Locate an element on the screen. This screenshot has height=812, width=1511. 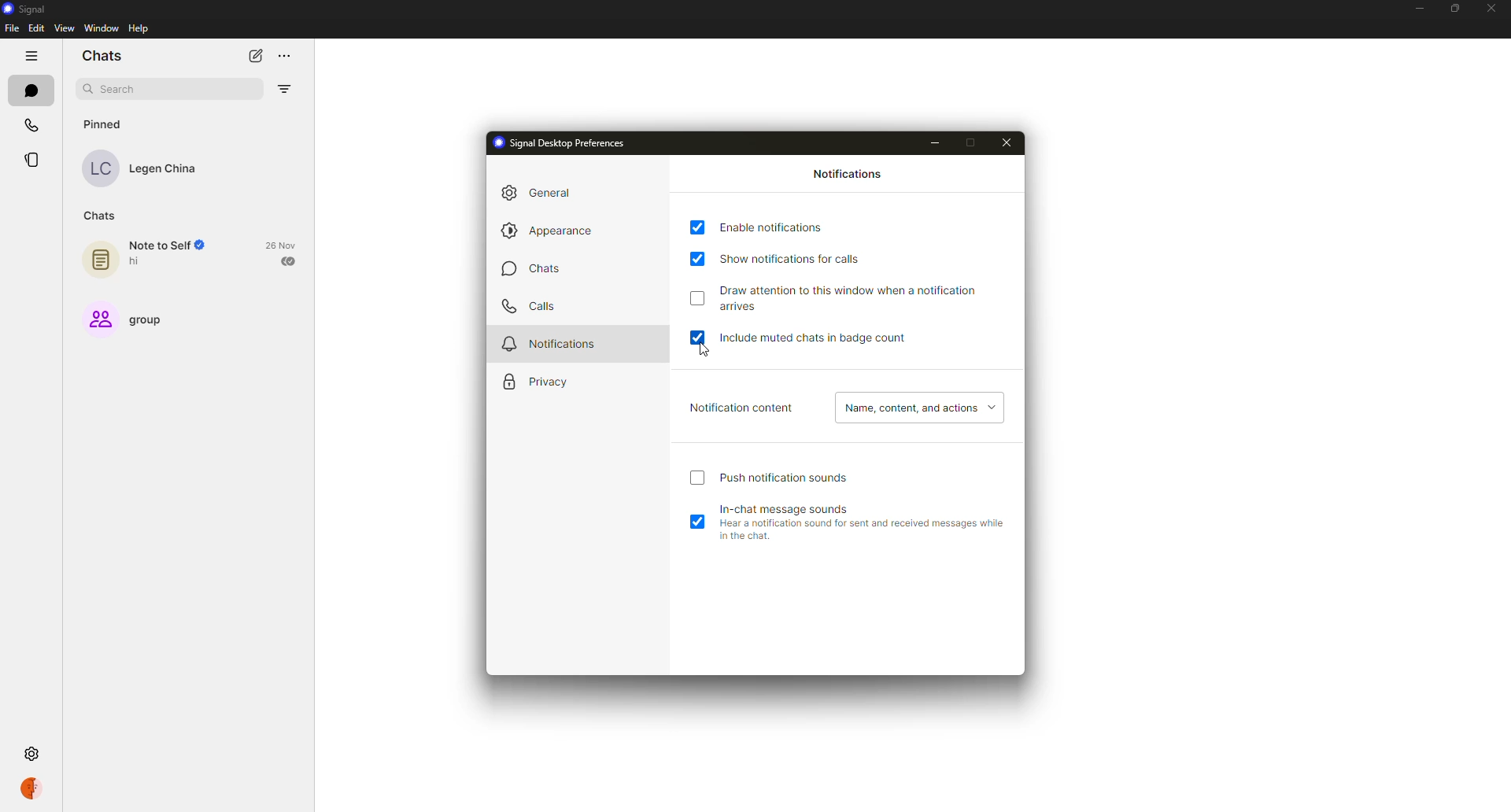
Hear a notification sound for sent and received messages in the chat. is located at coordinates (866, 532).